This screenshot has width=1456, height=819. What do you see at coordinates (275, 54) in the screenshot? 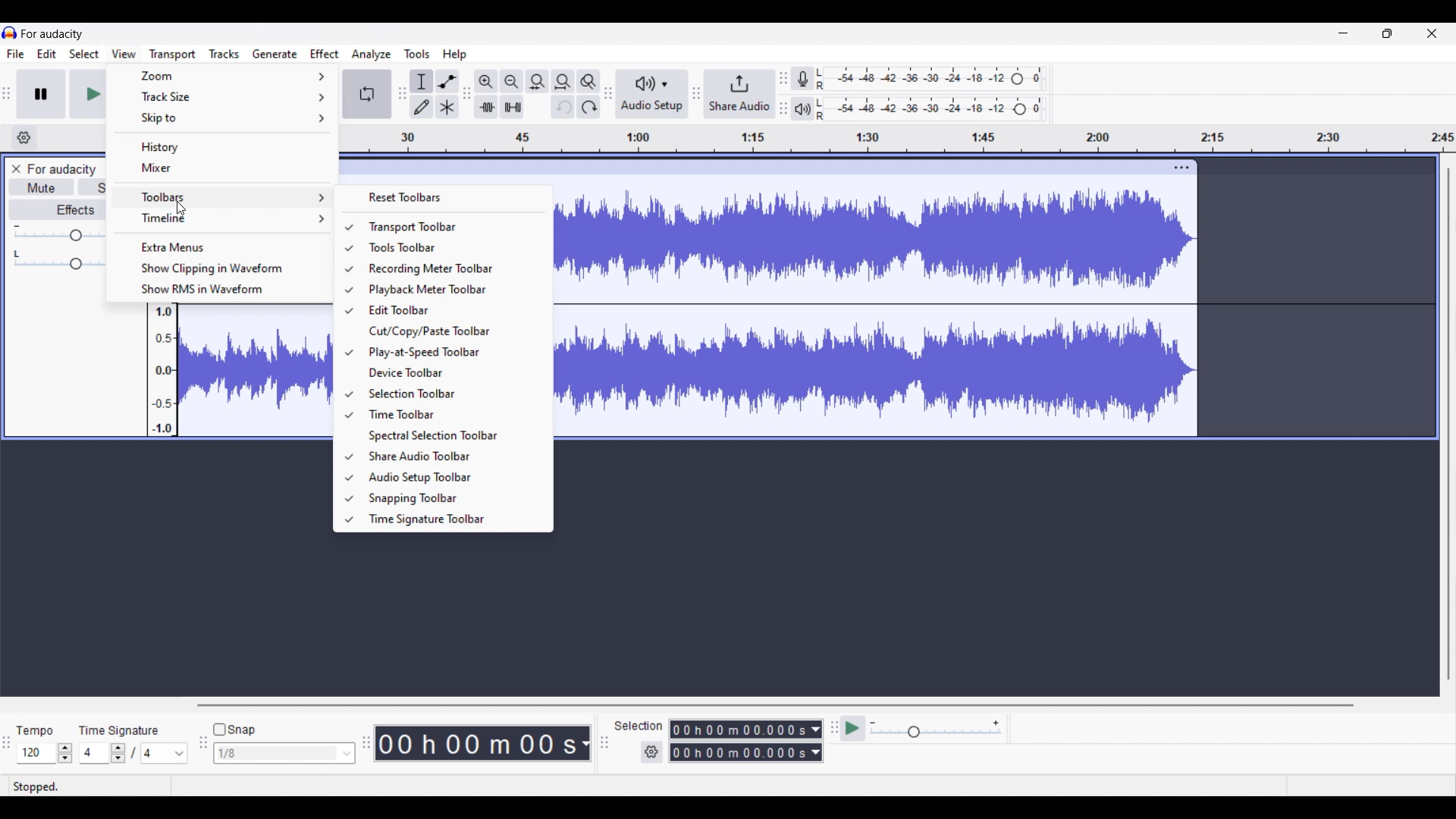
I see `Generate` at bounding box center [275, 54].